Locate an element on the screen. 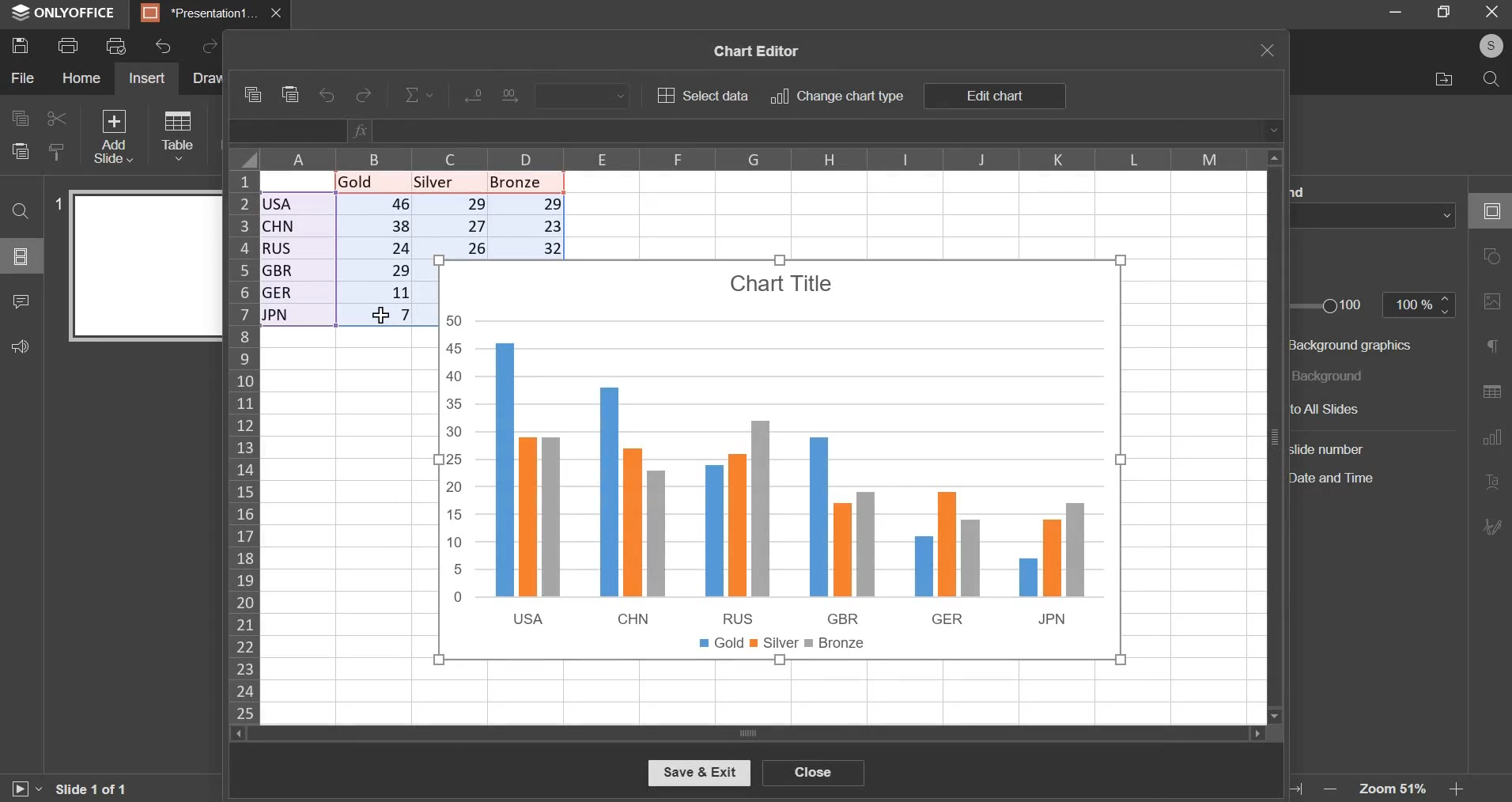 The image size is (1512, 802). search is located at coordinates (1492, 79).